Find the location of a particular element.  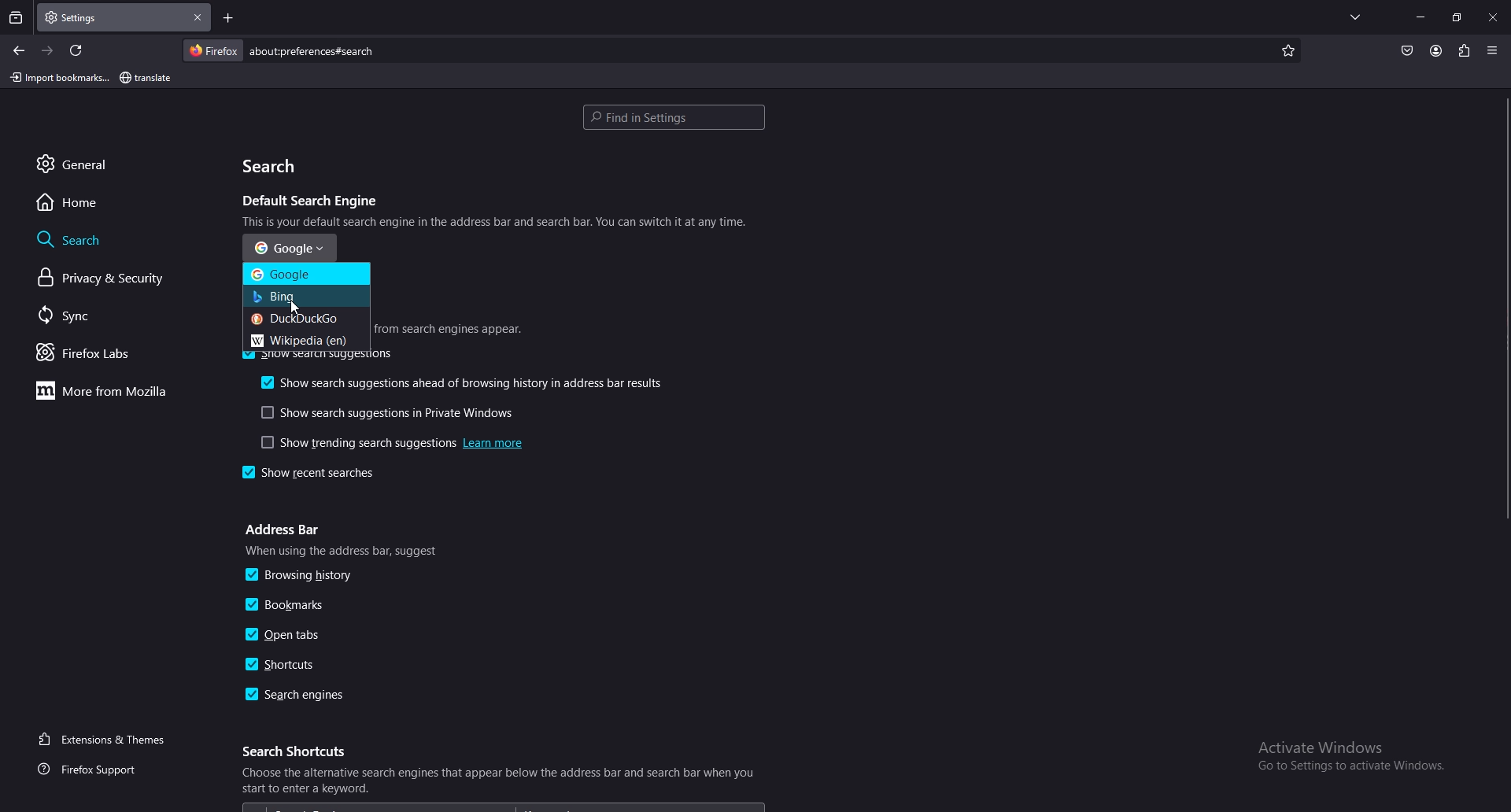

add tab is located at coordinates (229, 18).